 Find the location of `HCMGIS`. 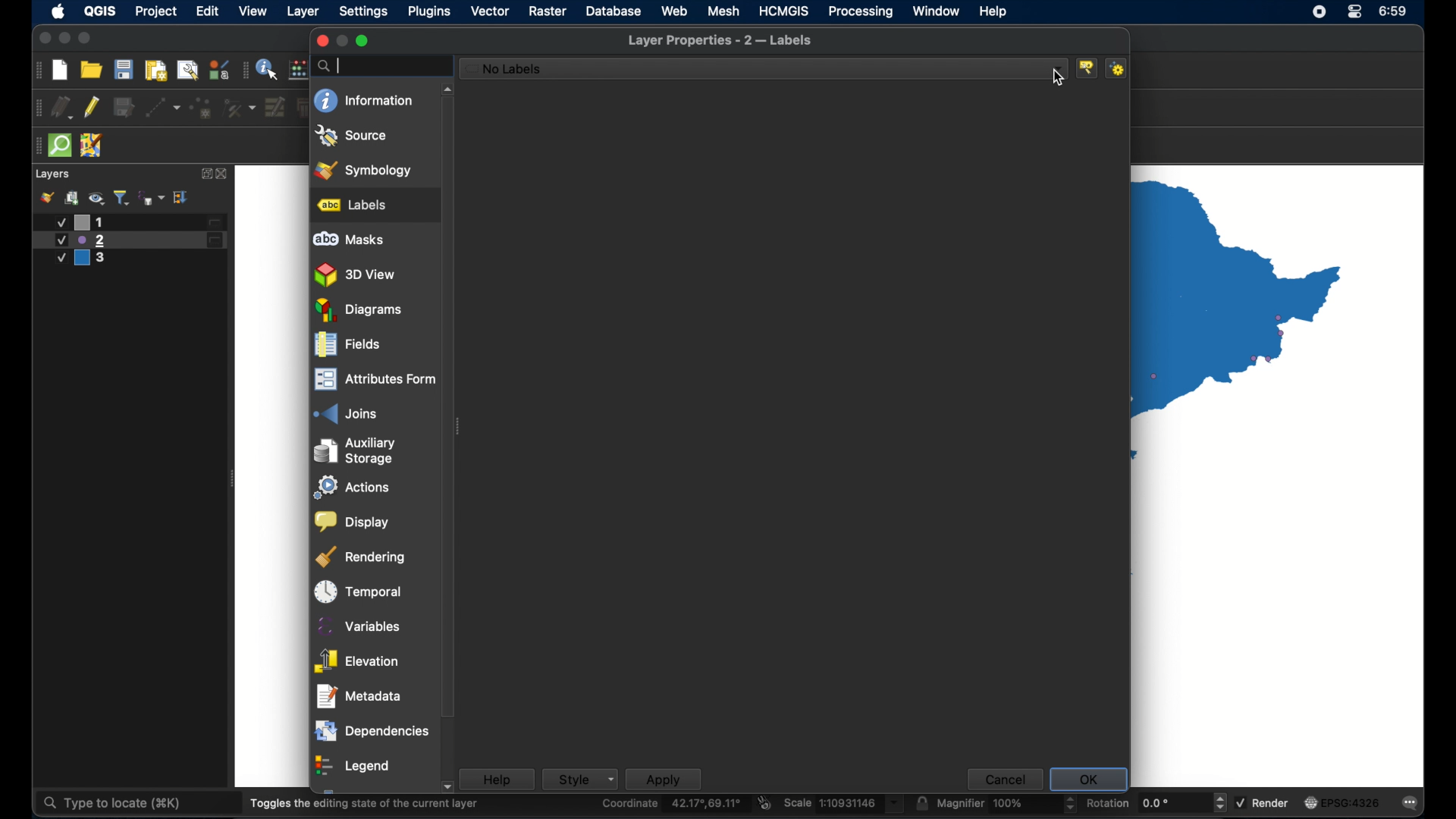

HCMGIS is located at coordinates (784, 11).